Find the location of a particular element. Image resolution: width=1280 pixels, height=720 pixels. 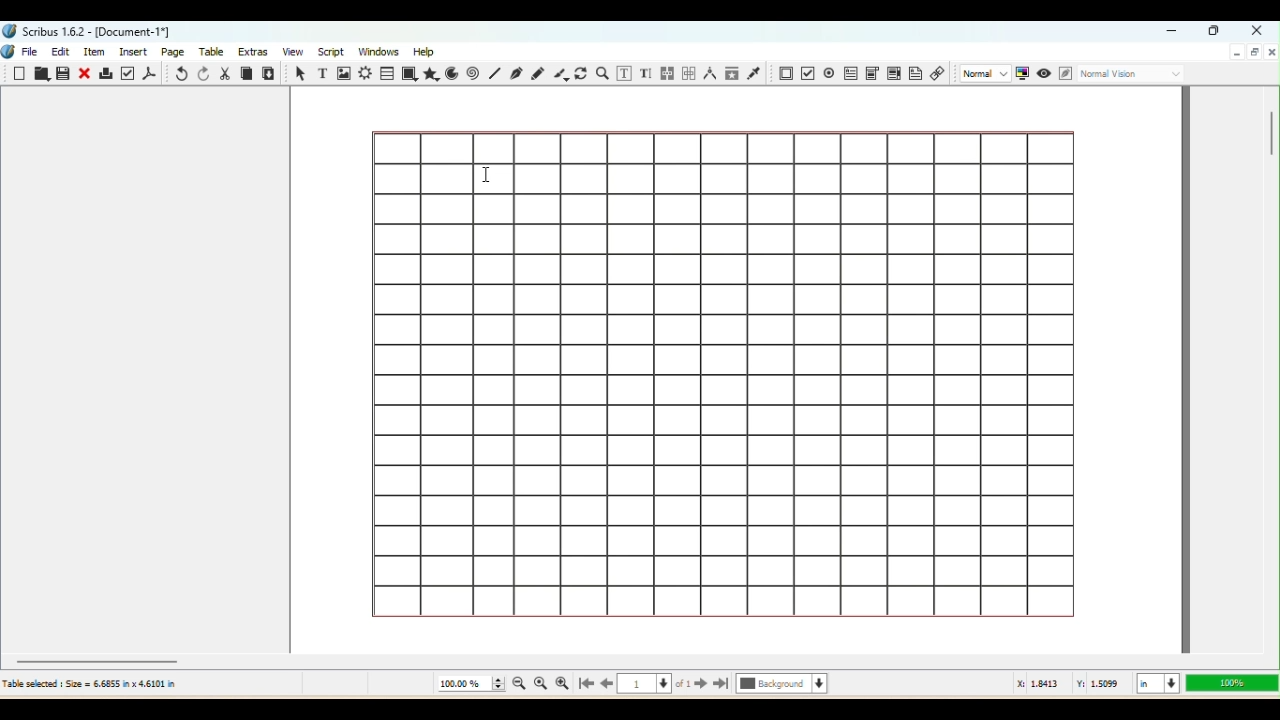

Shape tool is located at coordinates (410, 74).